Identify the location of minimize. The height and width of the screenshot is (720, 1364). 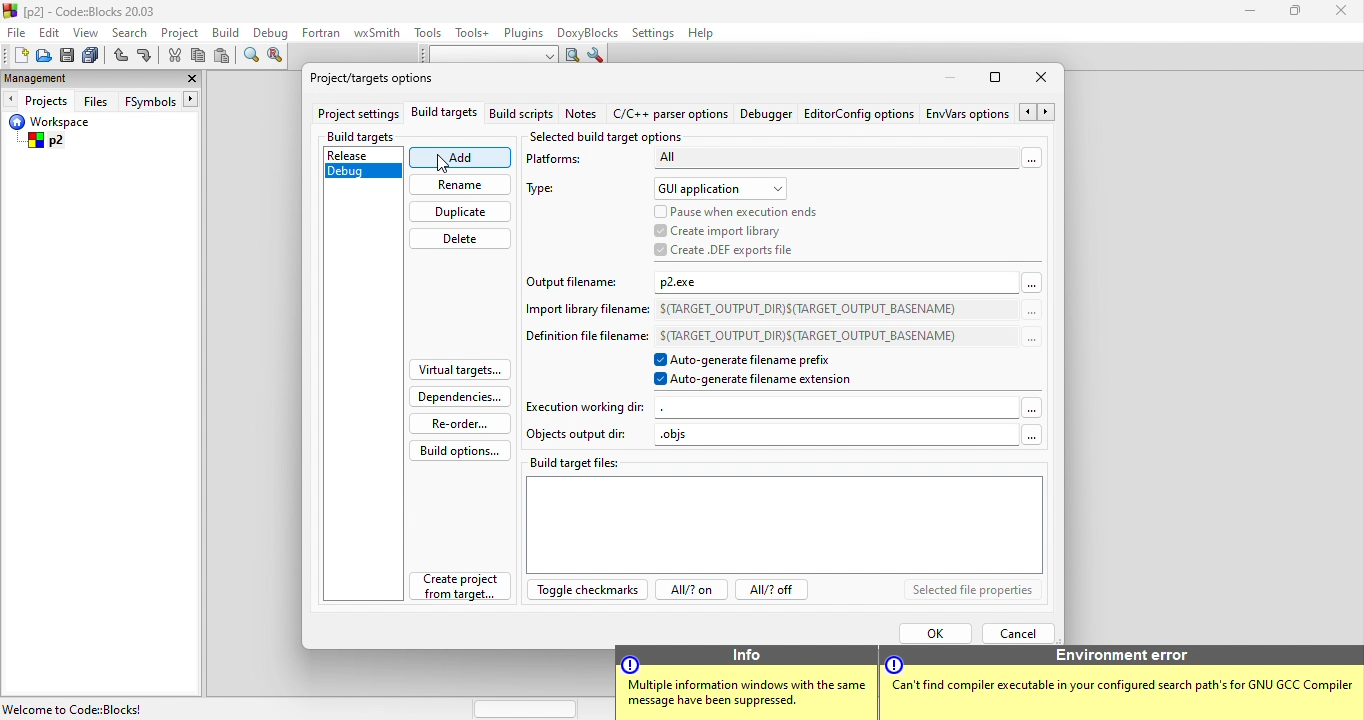
(1250, 13).